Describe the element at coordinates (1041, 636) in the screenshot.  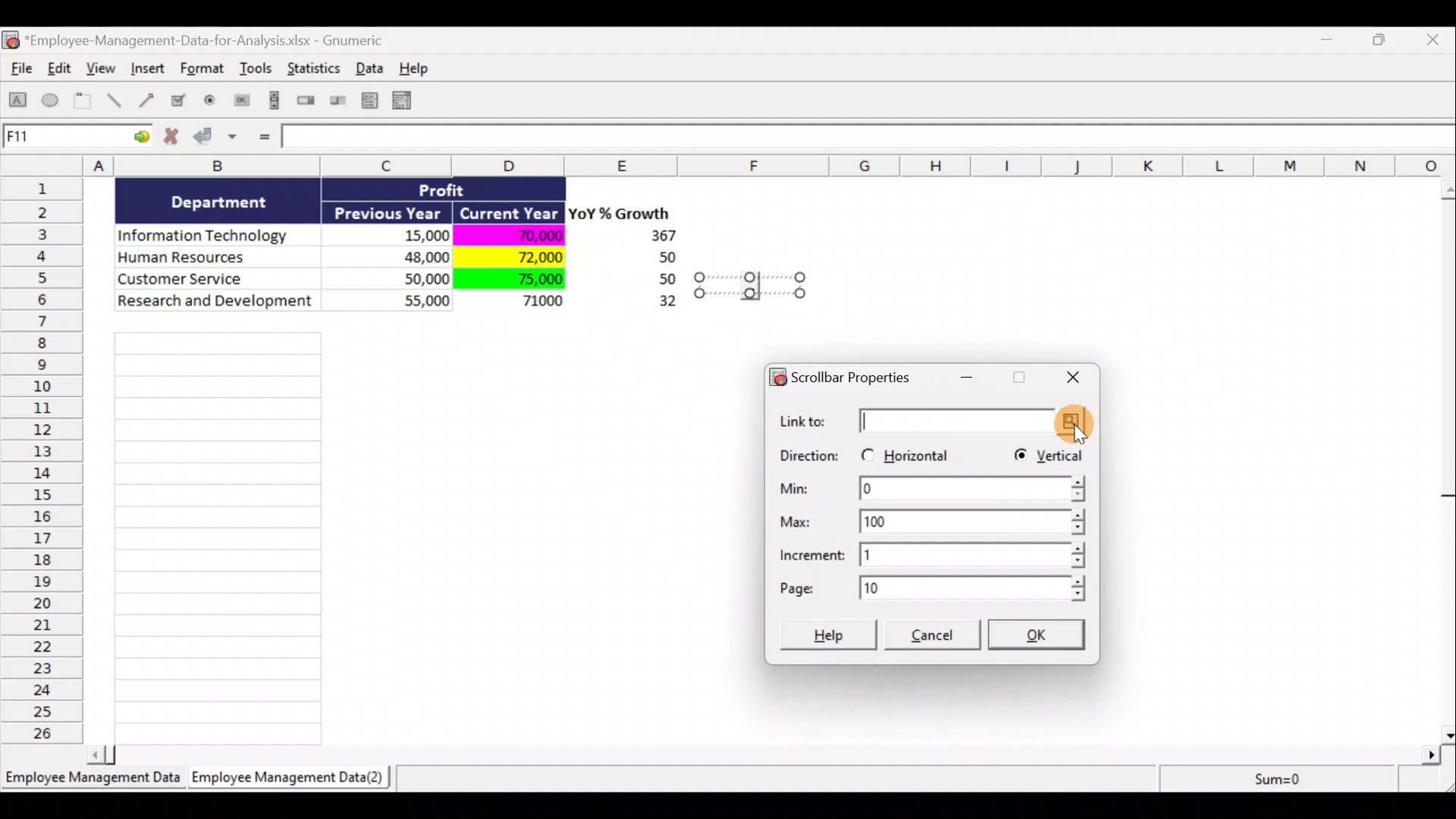
I see `OK` at that location.